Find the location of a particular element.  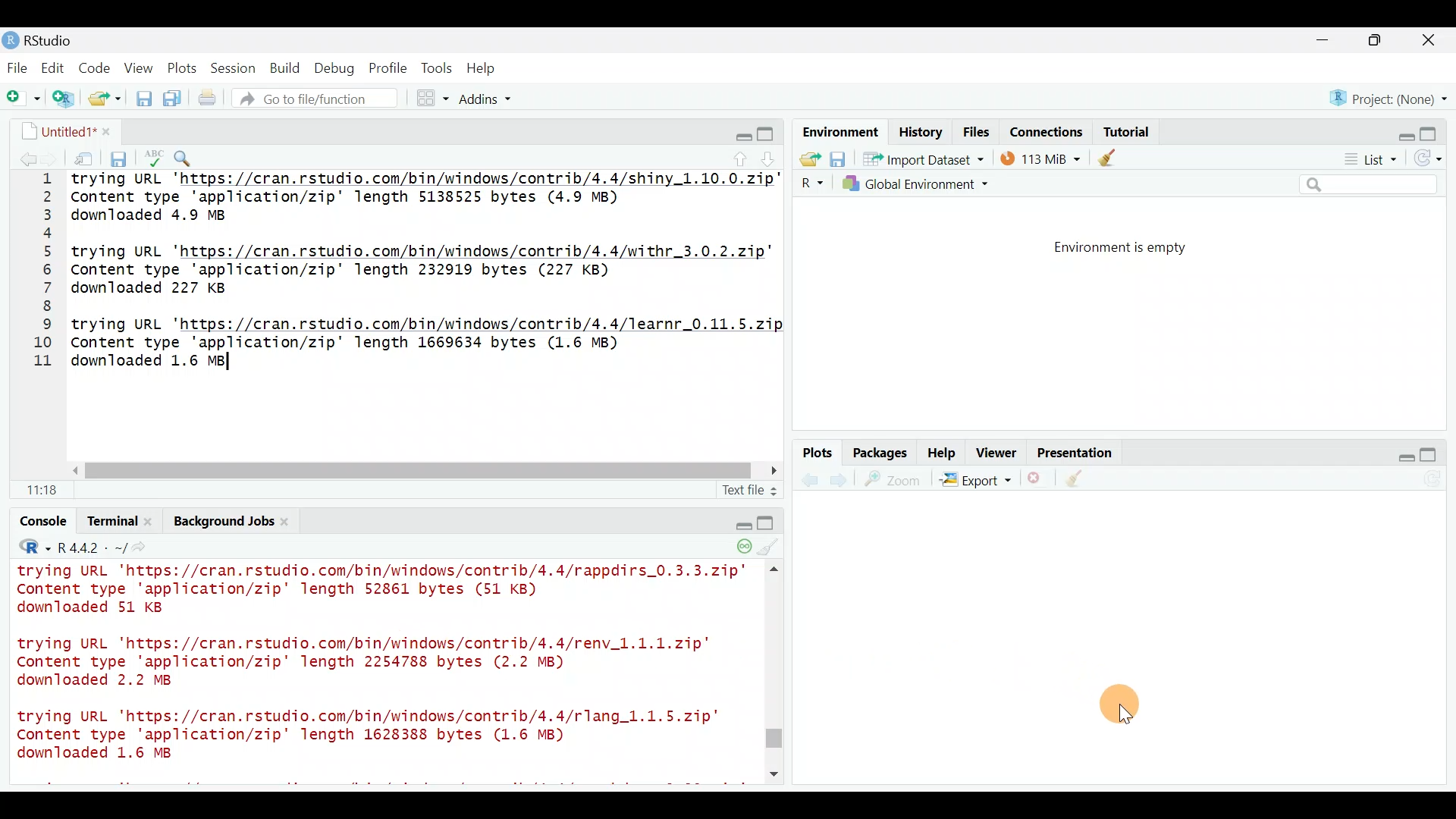

Refresh list of objects in the environment is located at coordinates (1433, 160).